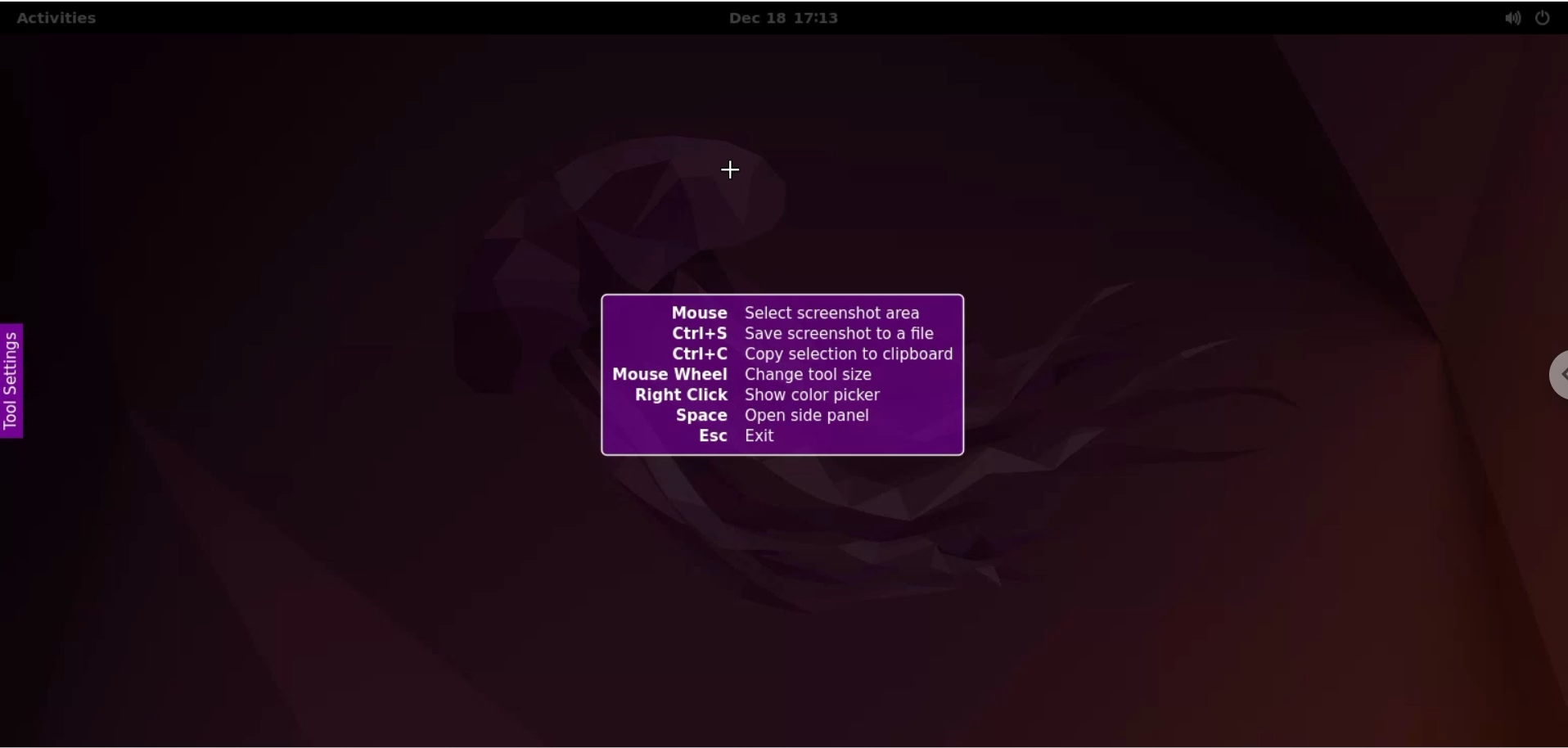  I want to click on cursor, so click(737, 172).